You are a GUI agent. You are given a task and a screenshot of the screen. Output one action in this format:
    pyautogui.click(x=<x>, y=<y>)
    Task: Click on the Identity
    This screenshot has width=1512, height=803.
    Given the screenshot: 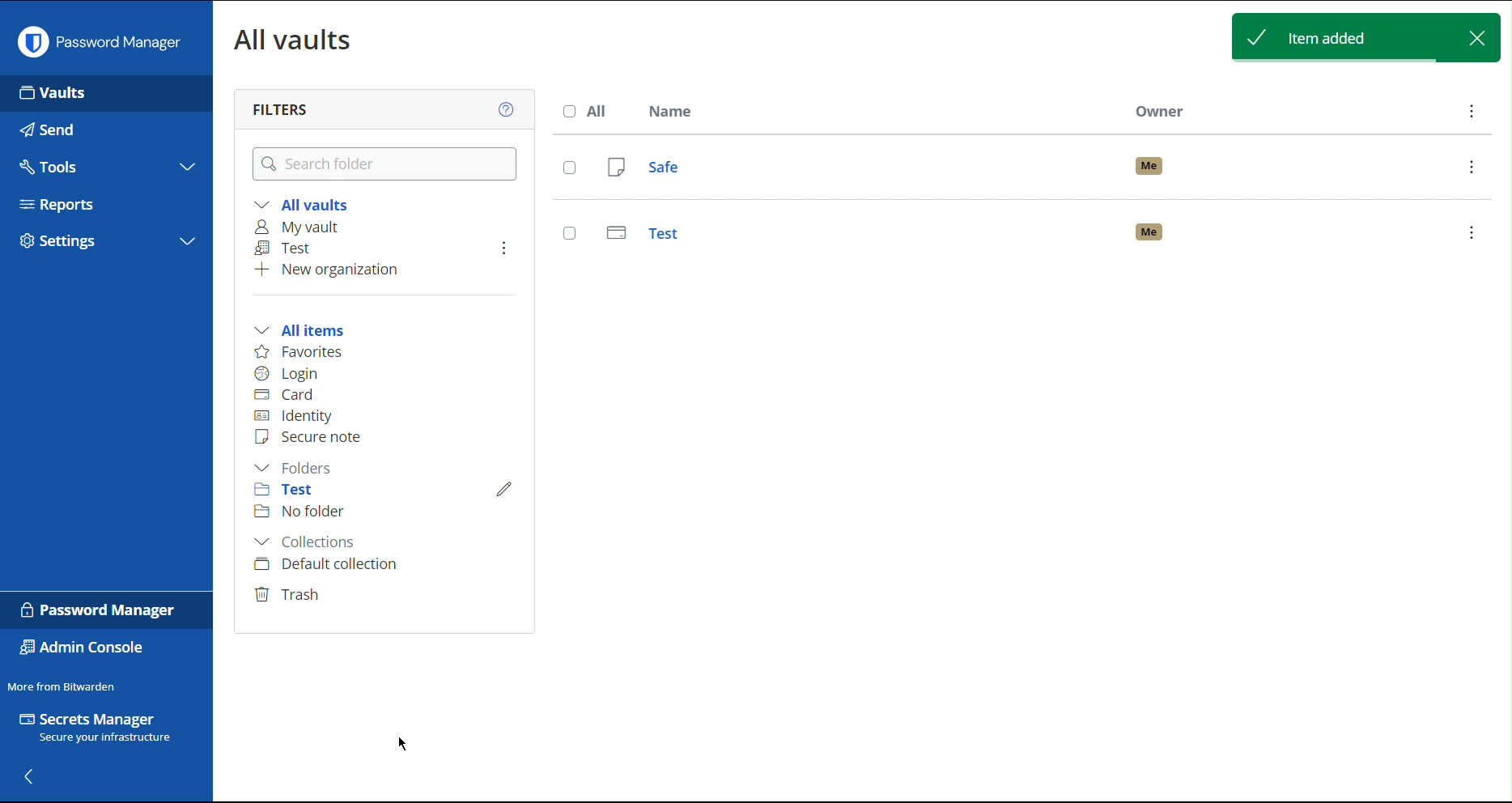 What is the action you would take?
    pyautogui.click(x=295, y=416)
    